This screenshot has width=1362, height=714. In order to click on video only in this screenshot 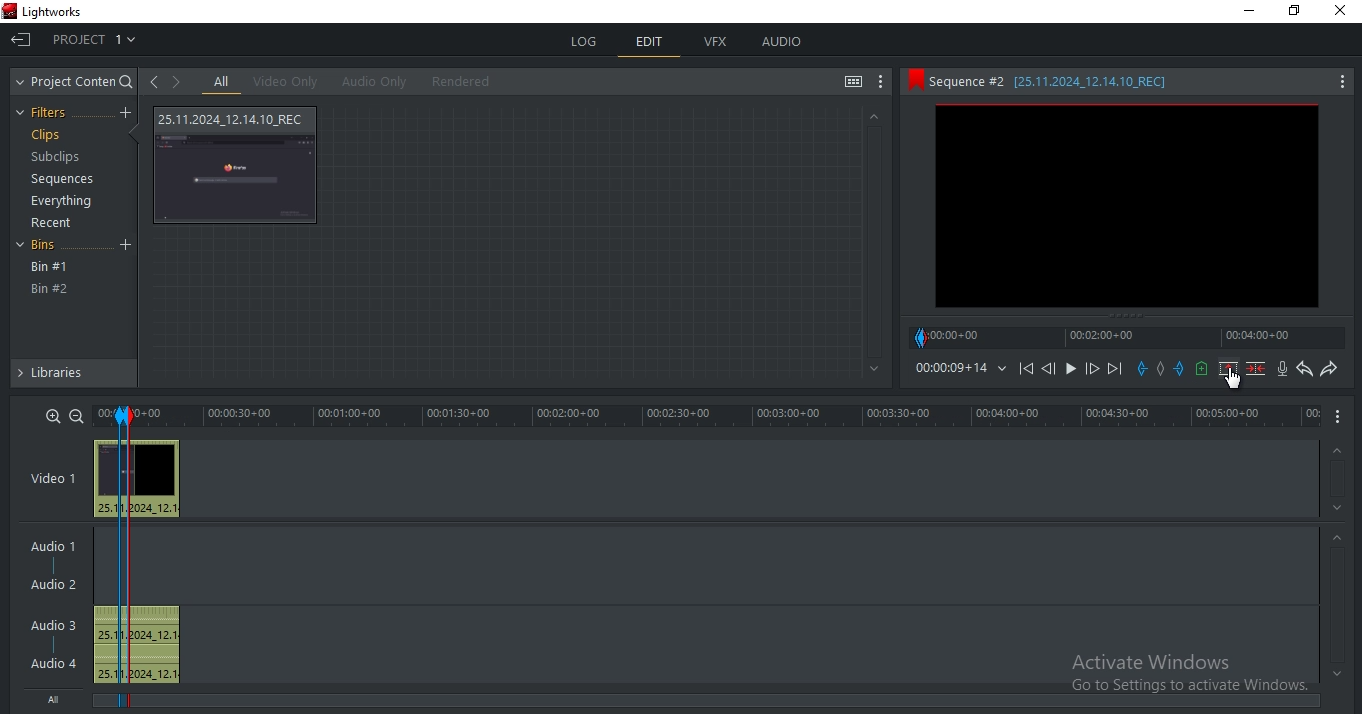, I will do `click(285, 82)`.